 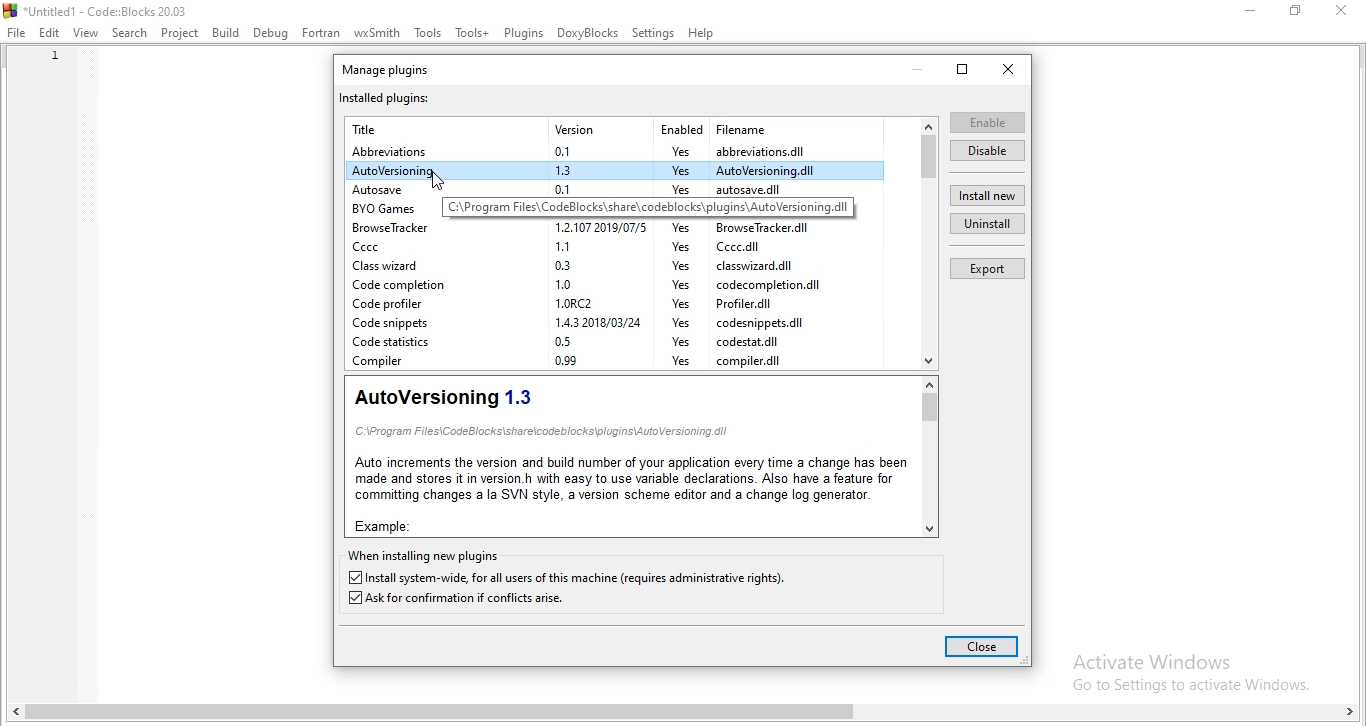 I want to click on installed plugins, so click(x=387, y=97).